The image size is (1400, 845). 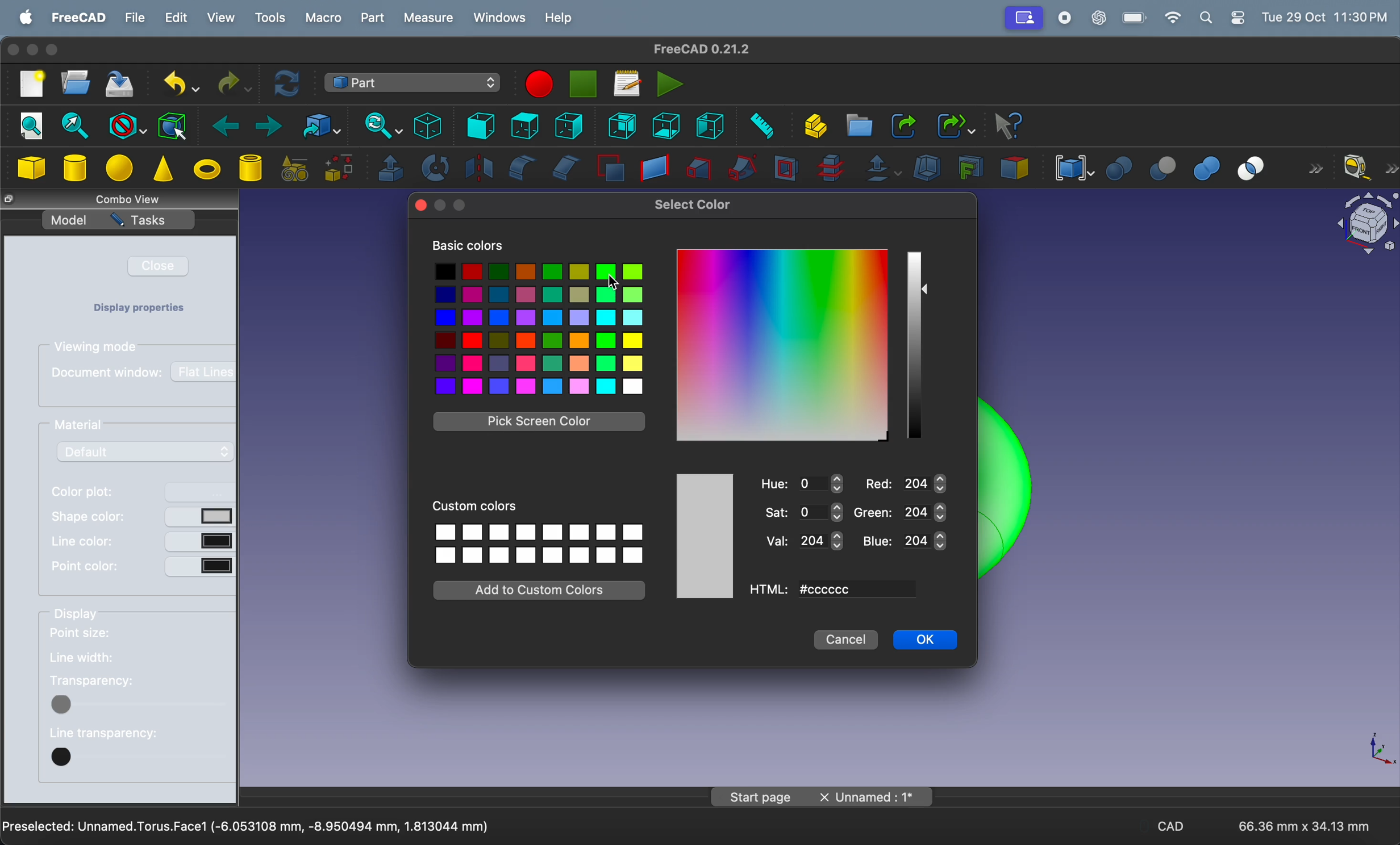 I want to click on chatgpt, so click(x=1098, y=16).